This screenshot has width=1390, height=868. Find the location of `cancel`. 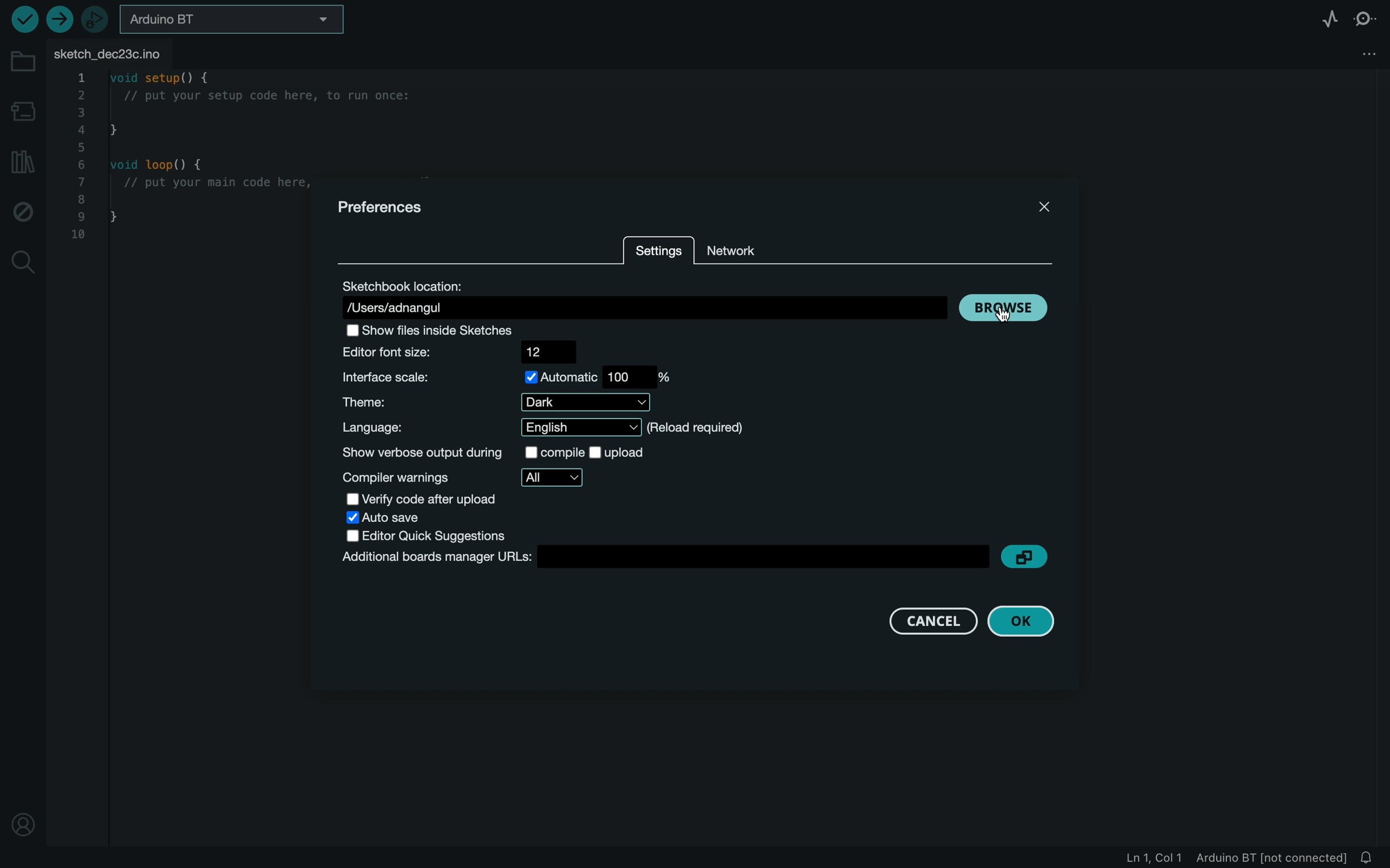

cancel is located at coordinates (934, 619).